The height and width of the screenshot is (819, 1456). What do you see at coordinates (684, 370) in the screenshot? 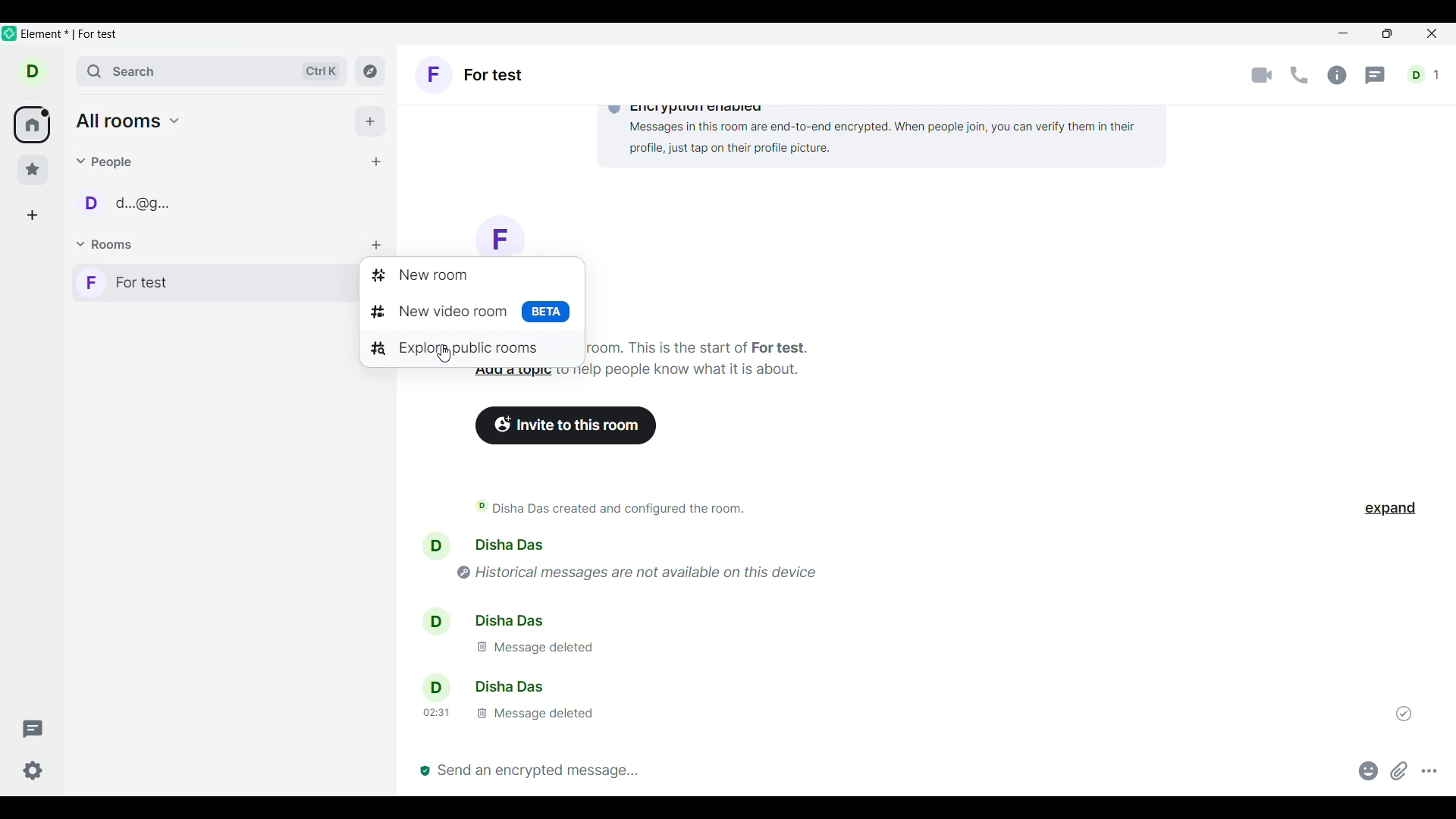
I see `to help people know what it is about.` at bounding box center [684, 370].